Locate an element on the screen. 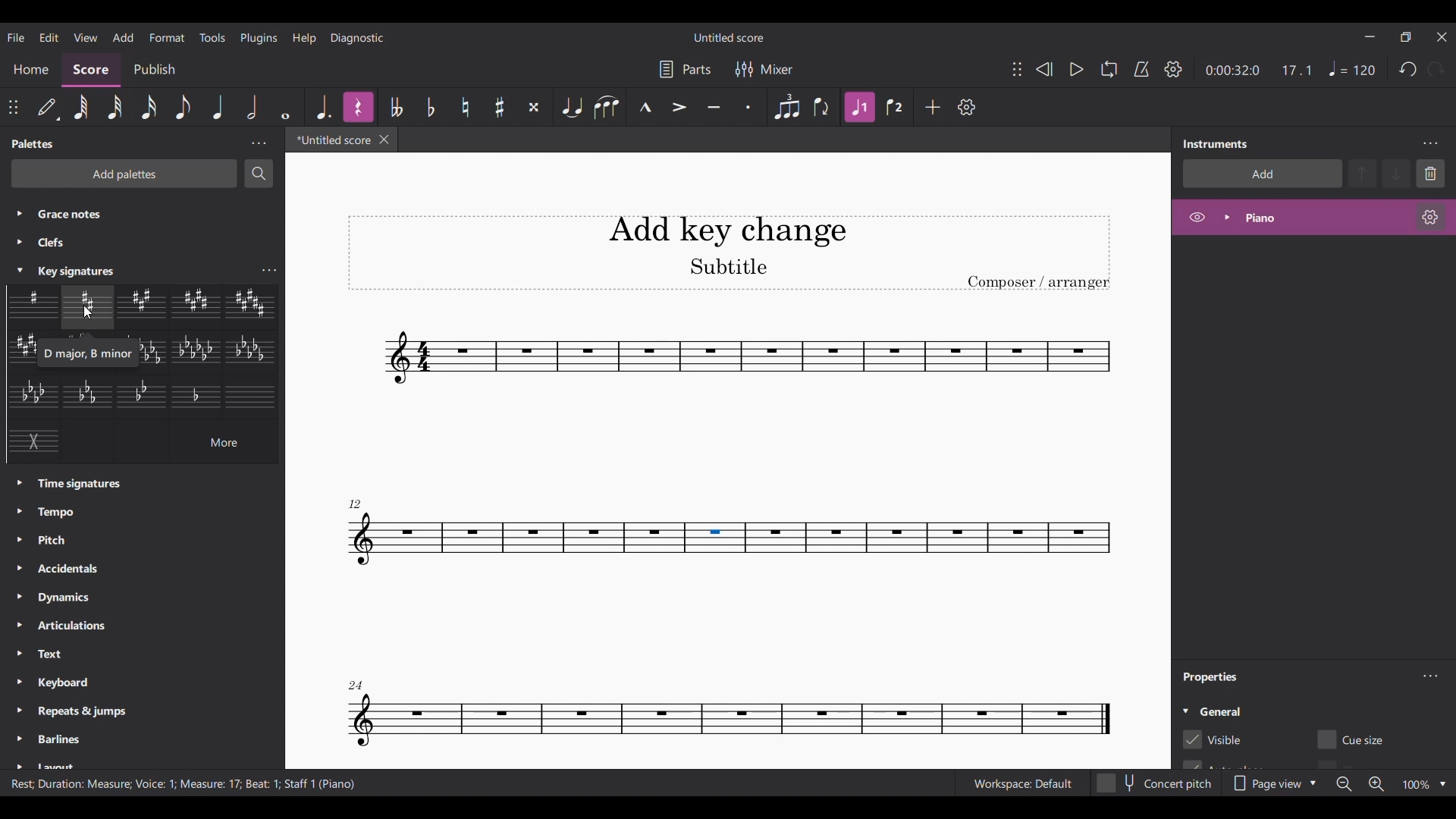  Score, current section highlighted is located at coordinates (92, 70).